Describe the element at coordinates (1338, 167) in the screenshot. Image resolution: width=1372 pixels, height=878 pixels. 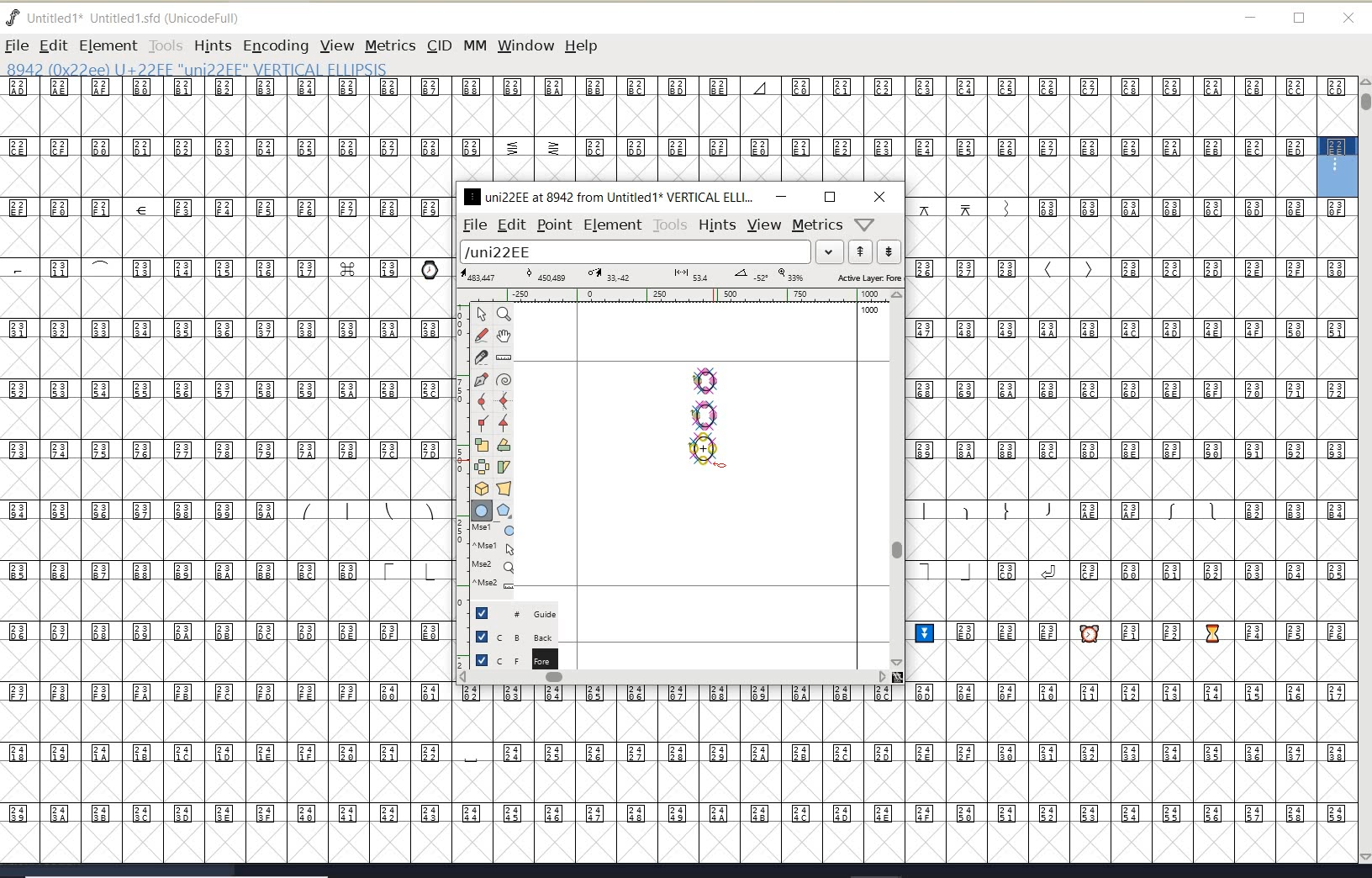
I see `glyph selected` at that location.